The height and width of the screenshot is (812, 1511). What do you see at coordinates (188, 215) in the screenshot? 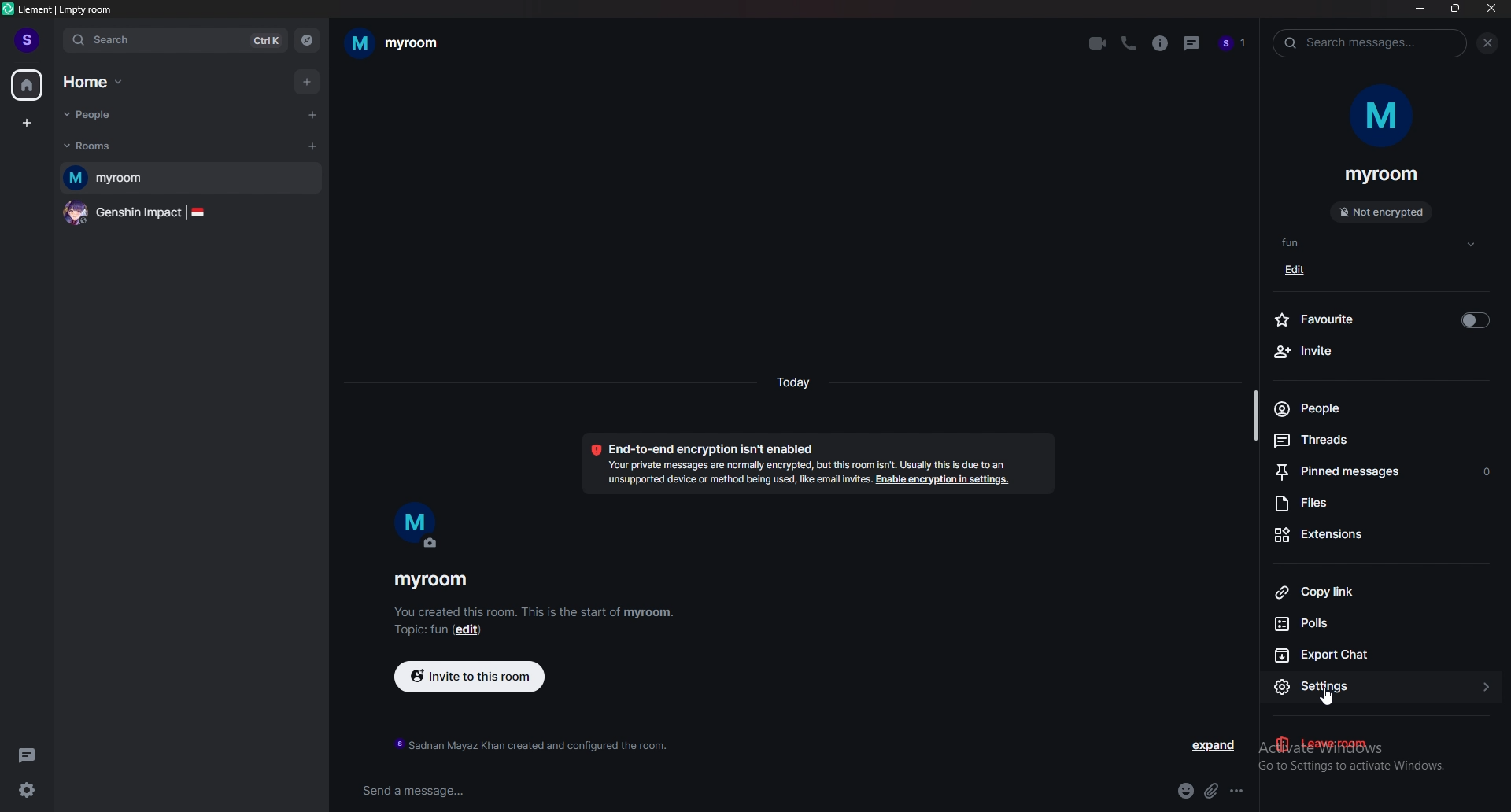
I see `genshin impact |` at bounding box center [188, 215].